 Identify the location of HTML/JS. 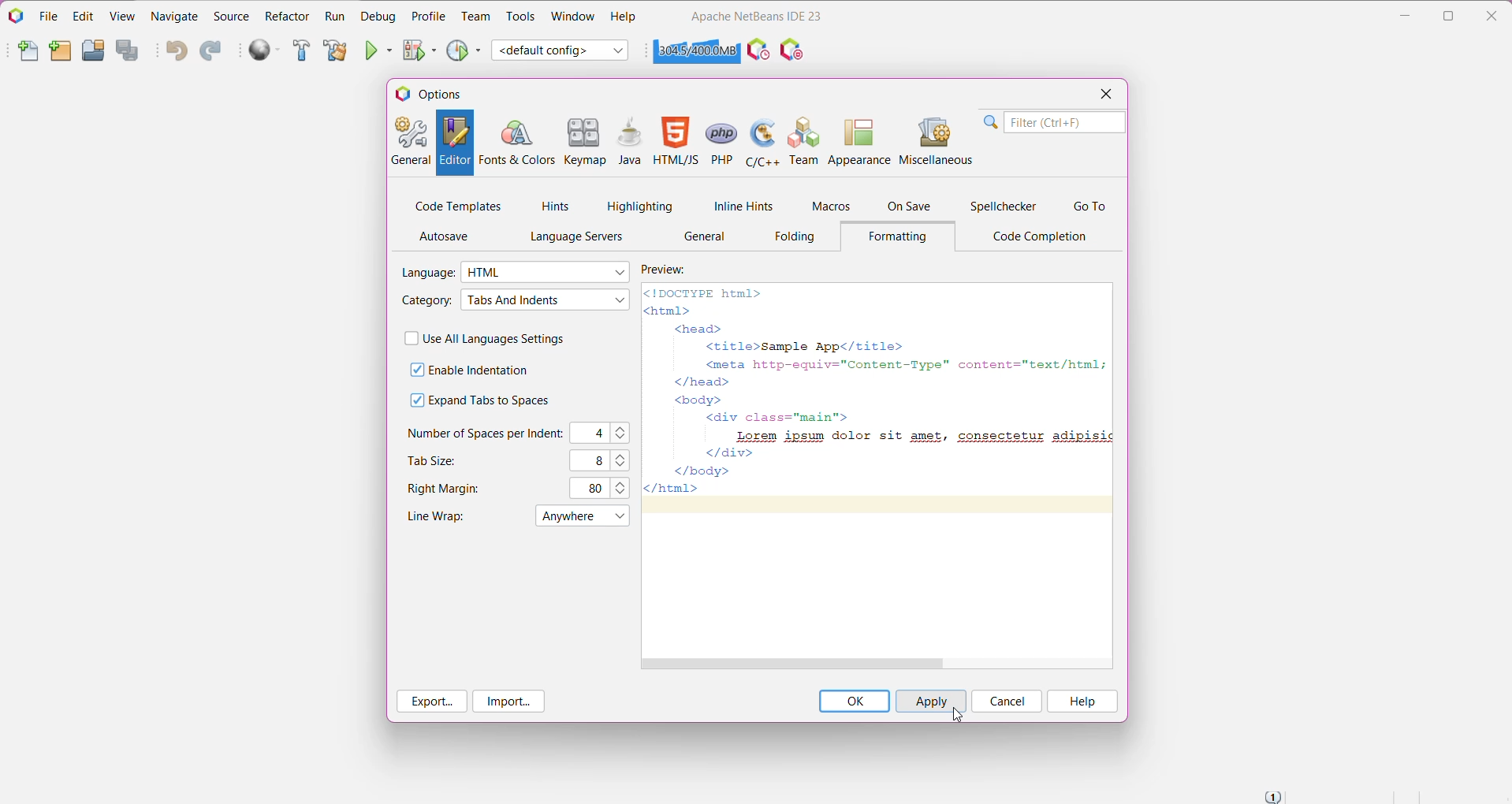
(676, 143).